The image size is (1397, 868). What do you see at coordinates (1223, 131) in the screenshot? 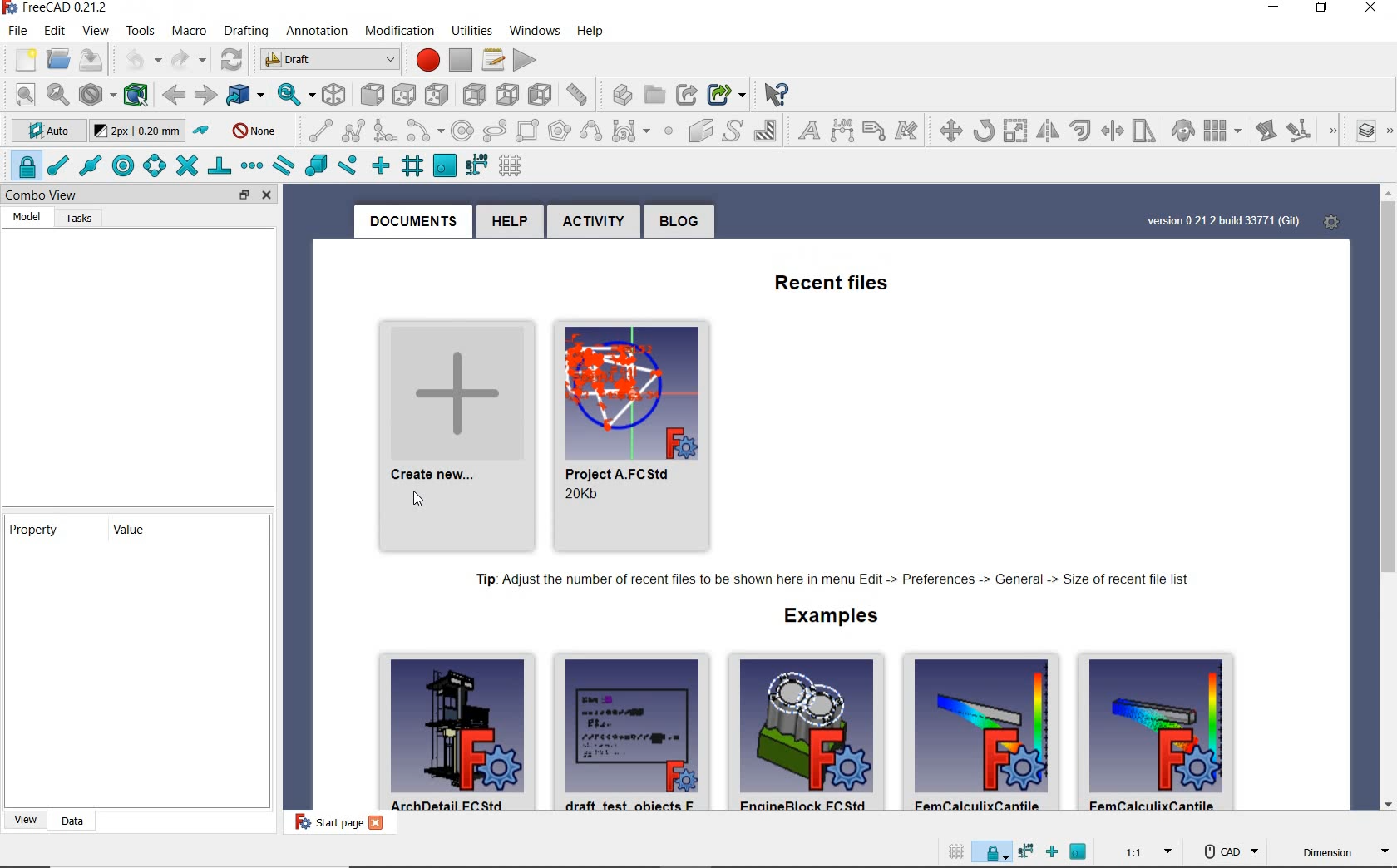
I see `array tools` at bounding box center [1223, 131].